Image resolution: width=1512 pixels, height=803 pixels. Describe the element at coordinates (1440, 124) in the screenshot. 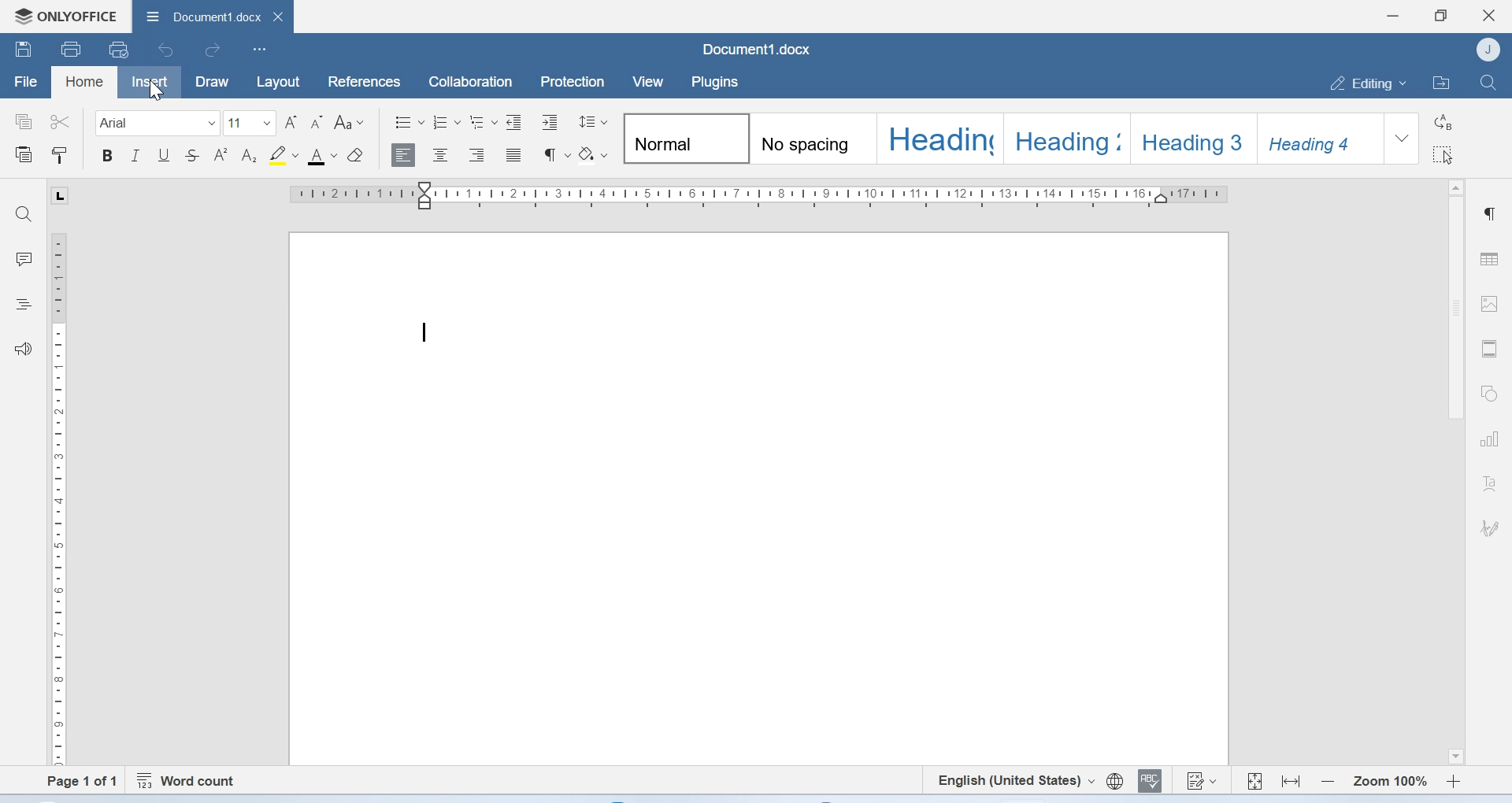

I see `Replace` at that location.